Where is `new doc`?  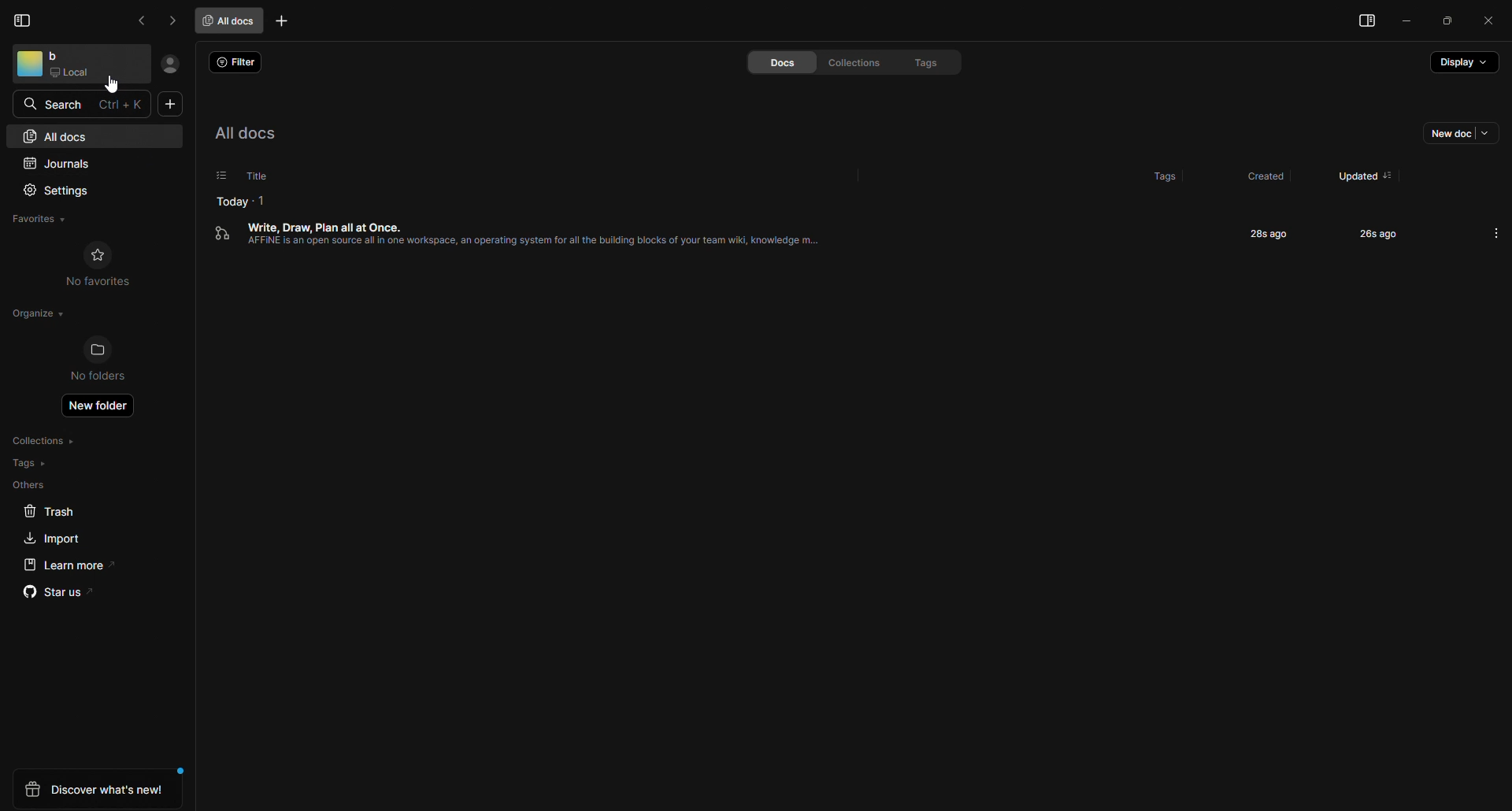 new doc is located at coordinates (171, 106).